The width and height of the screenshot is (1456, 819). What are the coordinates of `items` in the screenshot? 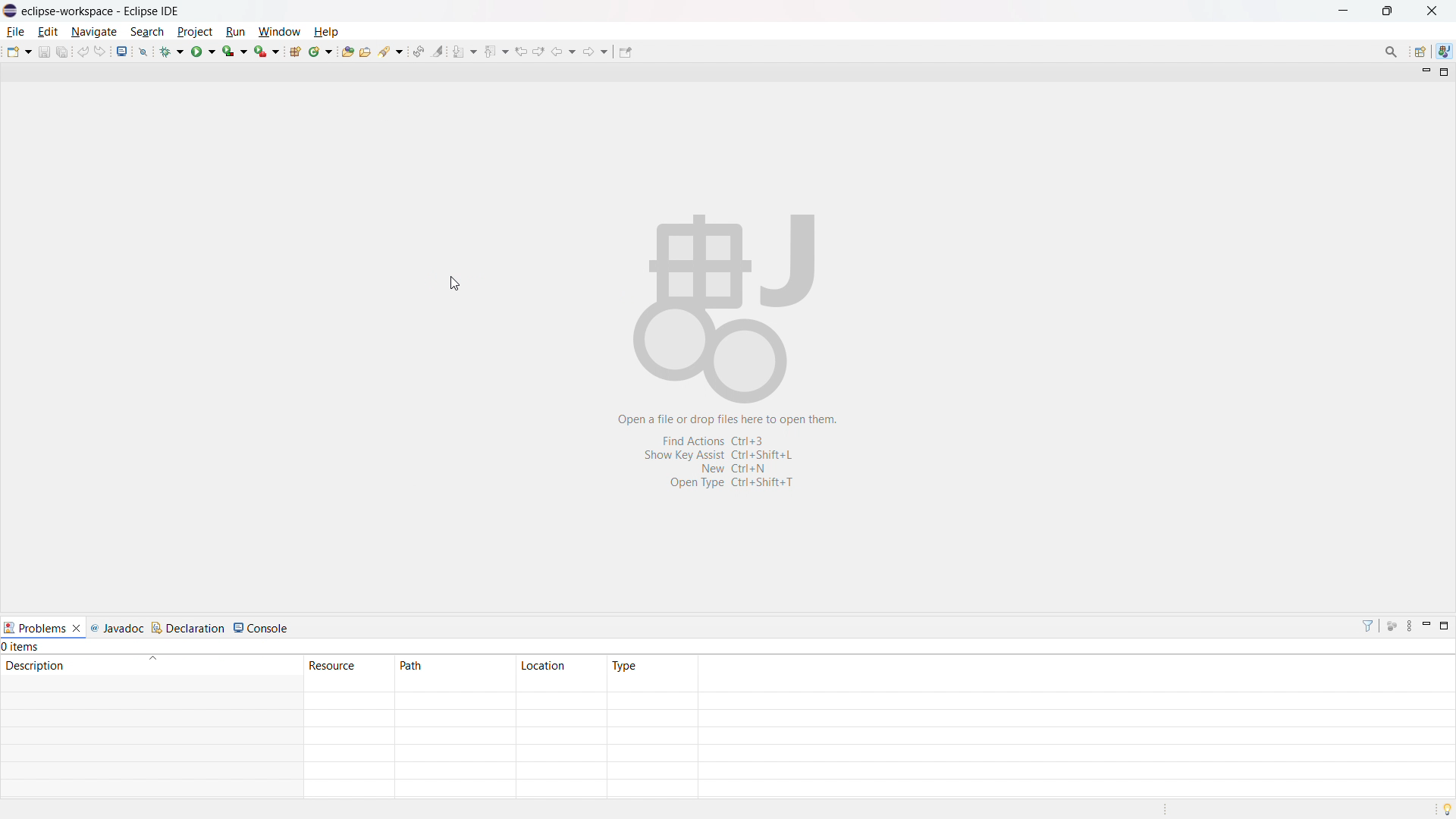 It's located at (21, 647).